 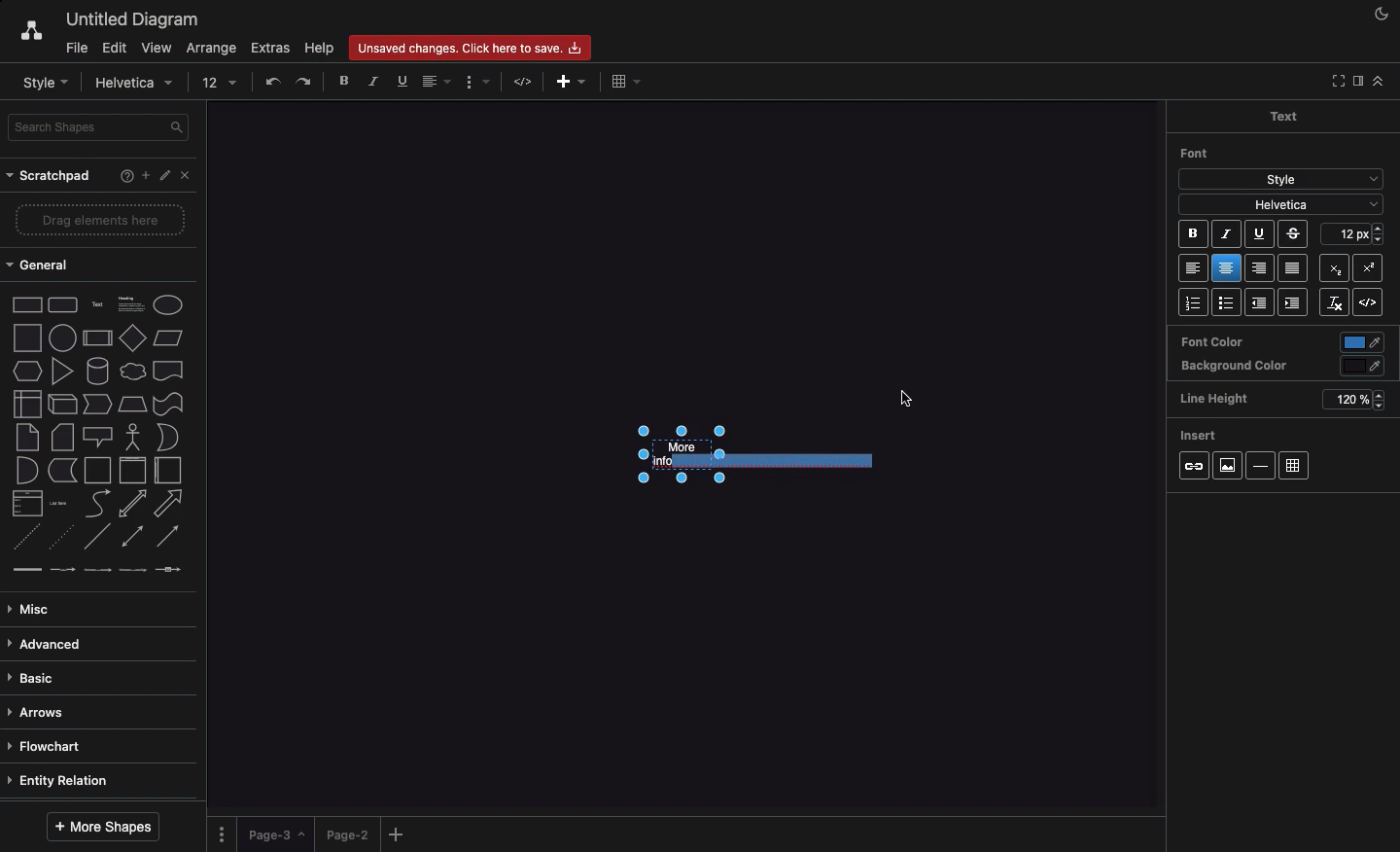 I want to click on Page 3, so click(x=274, y=834).